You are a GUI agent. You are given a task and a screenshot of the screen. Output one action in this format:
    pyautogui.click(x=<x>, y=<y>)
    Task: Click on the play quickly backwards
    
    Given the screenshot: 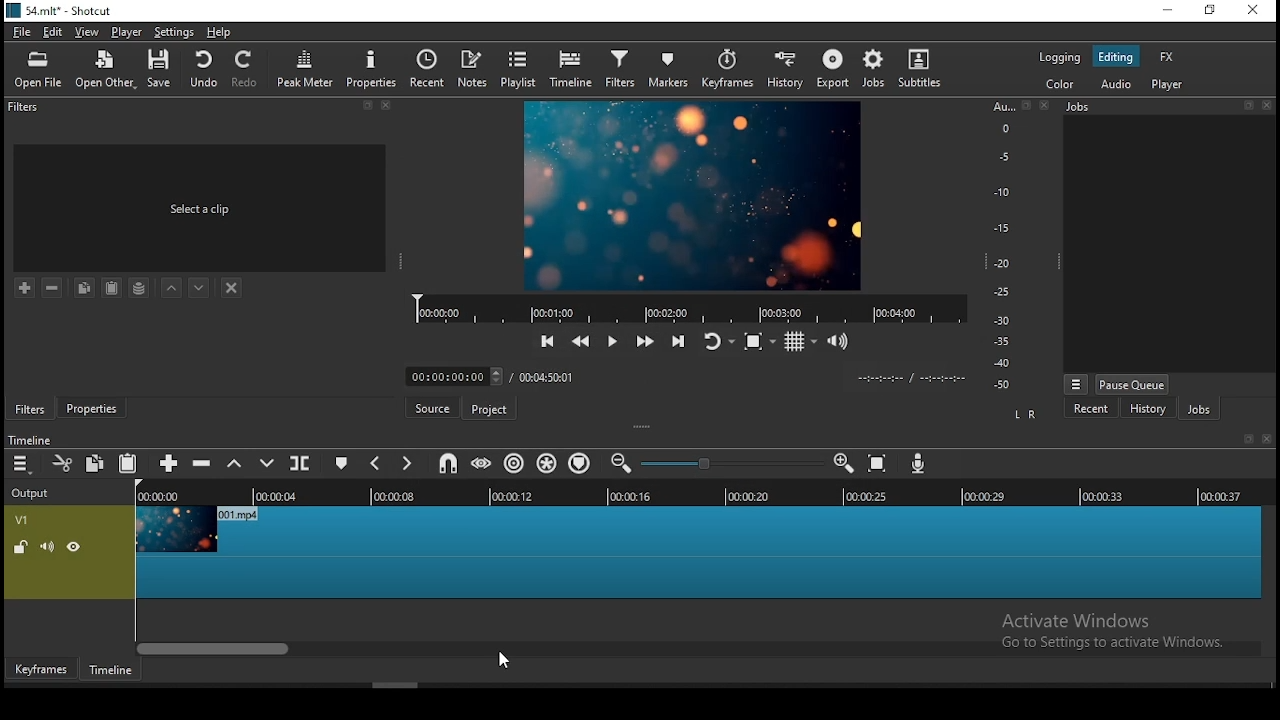 What is the action you would take?
    pyautogui.click(x=582, y=343)
    